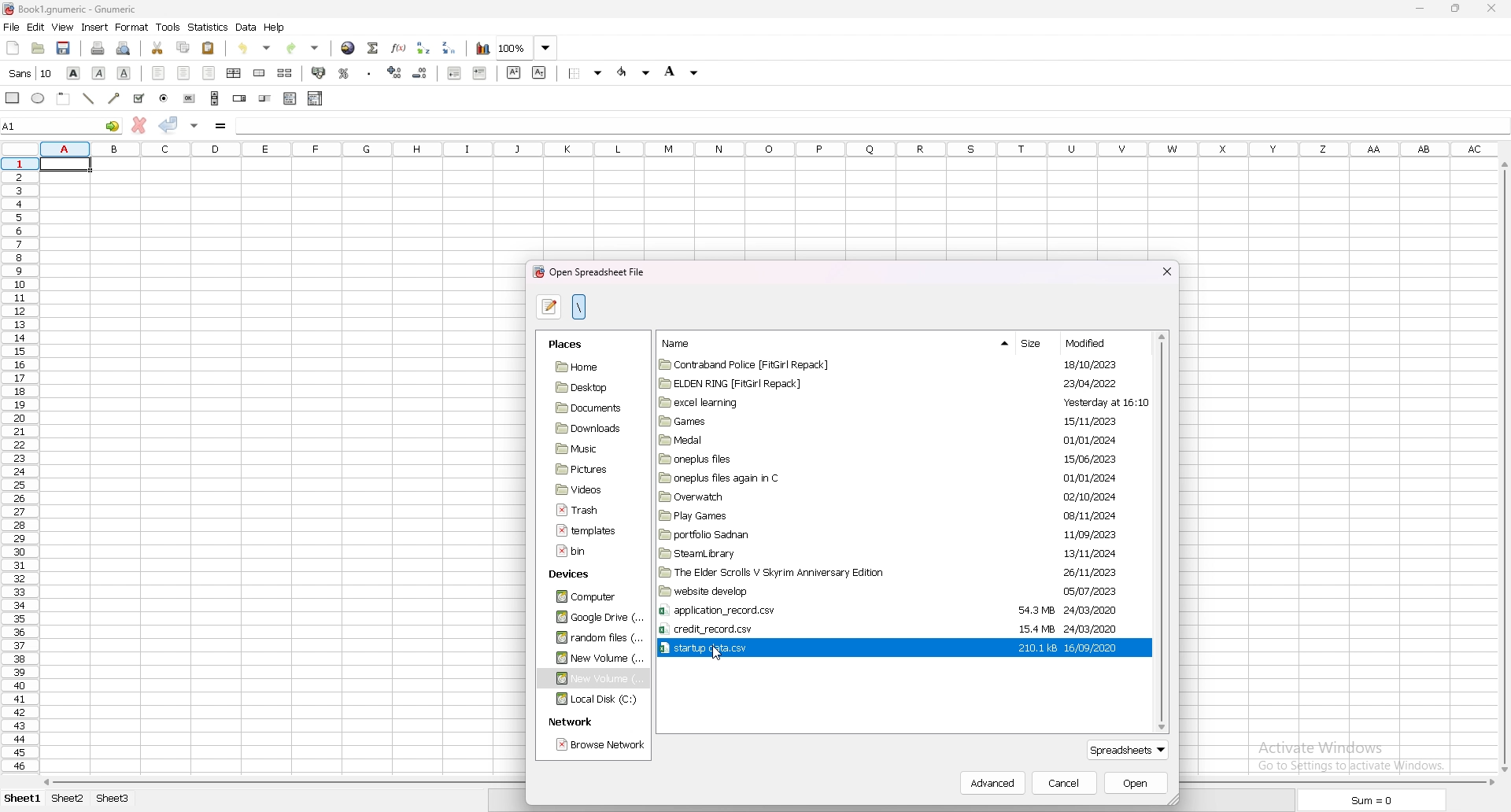 The width and height of the screenshot is (1511, 812). What do you see at coordinates (316, 98) in the screenshot?
I see `combo box` at bounding box center [316, 98].